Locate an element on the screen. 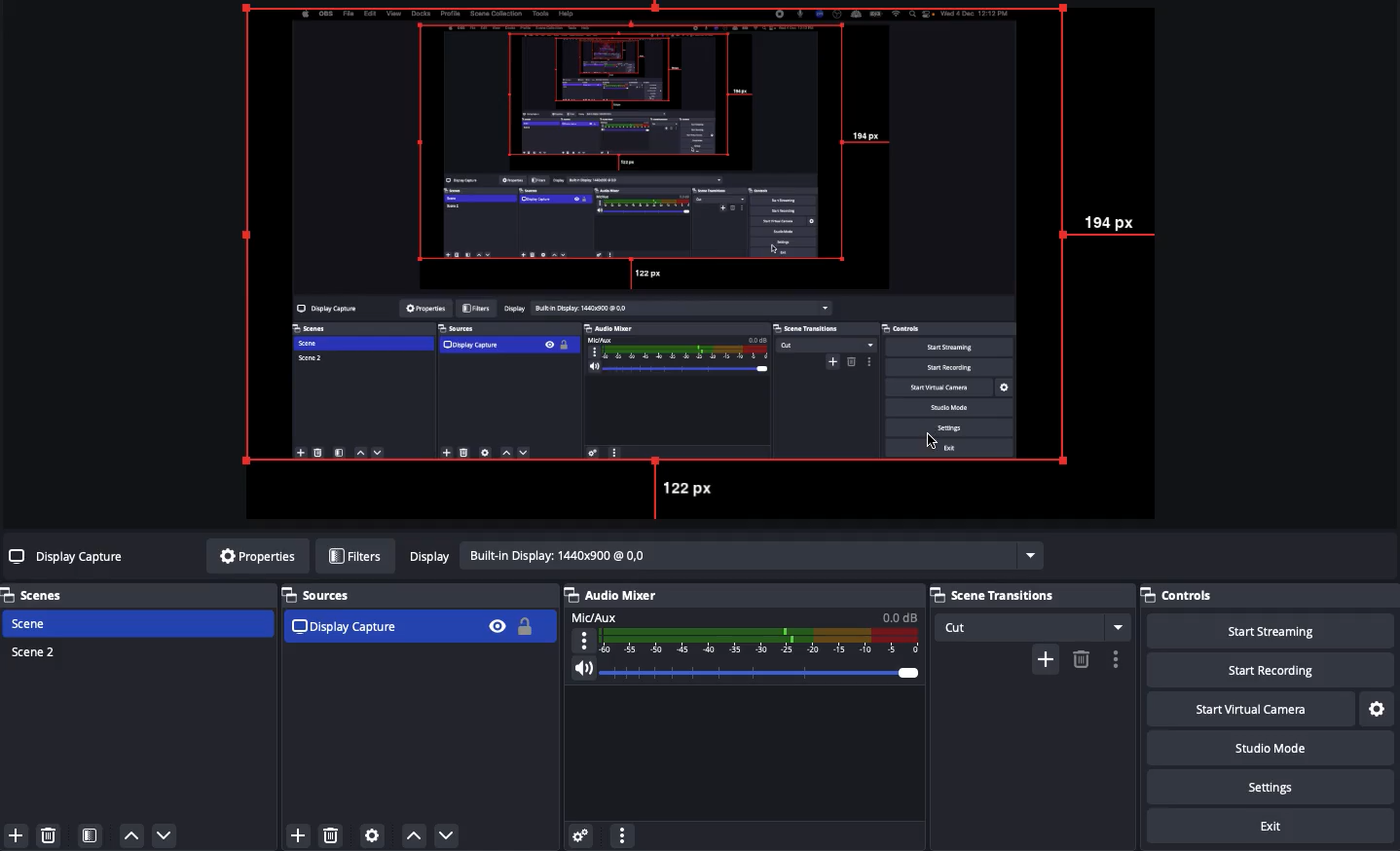 This screenshot has width=1400, height=851. Settings is located at coordinates (1379, 707).